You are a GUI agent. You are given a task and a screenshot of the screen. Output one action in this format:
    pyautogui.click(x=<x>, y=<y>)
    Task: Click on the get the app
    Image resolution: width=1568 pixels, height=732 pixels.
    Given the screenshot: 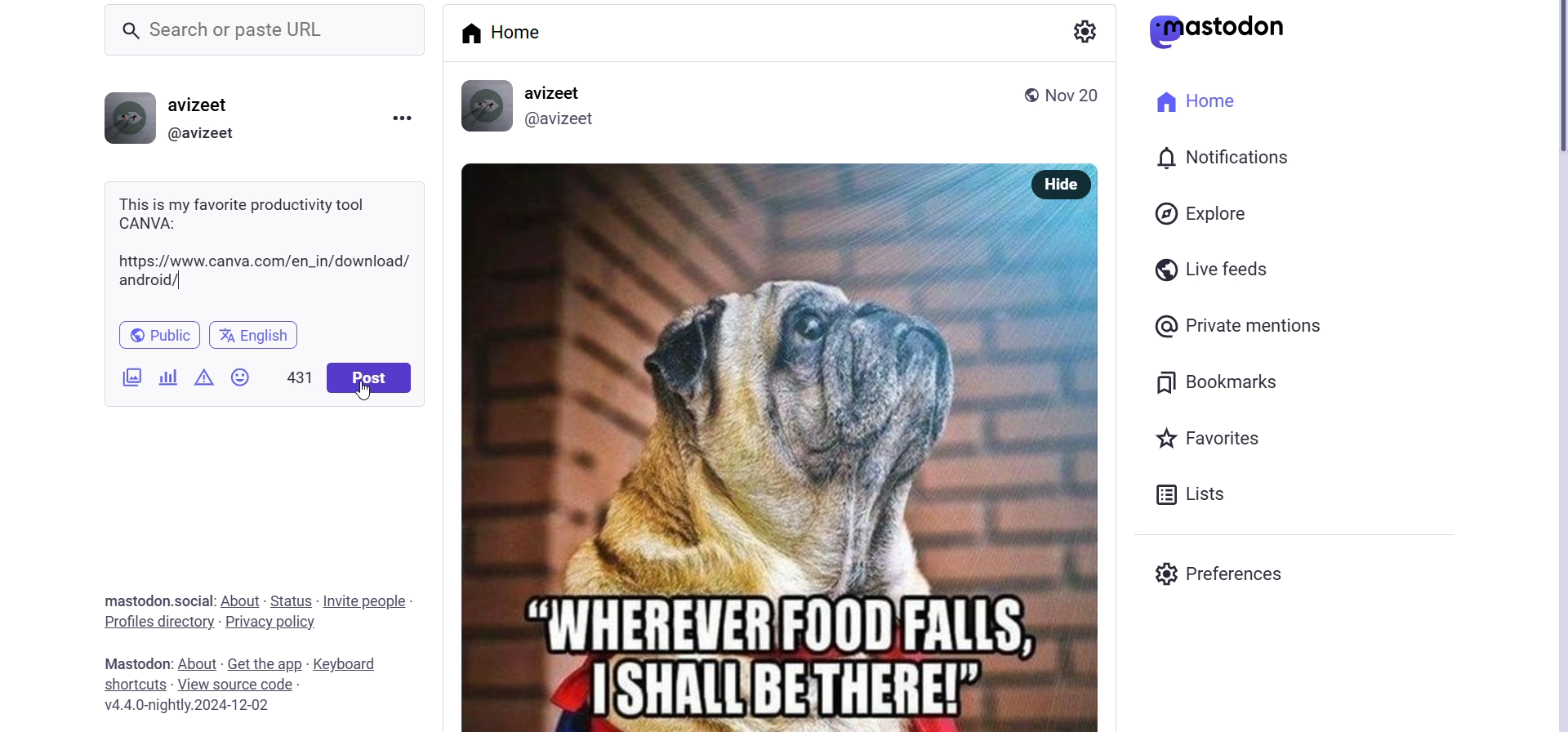 What is the action you would take?
    pyautogui.click(x=265, y=661)
    